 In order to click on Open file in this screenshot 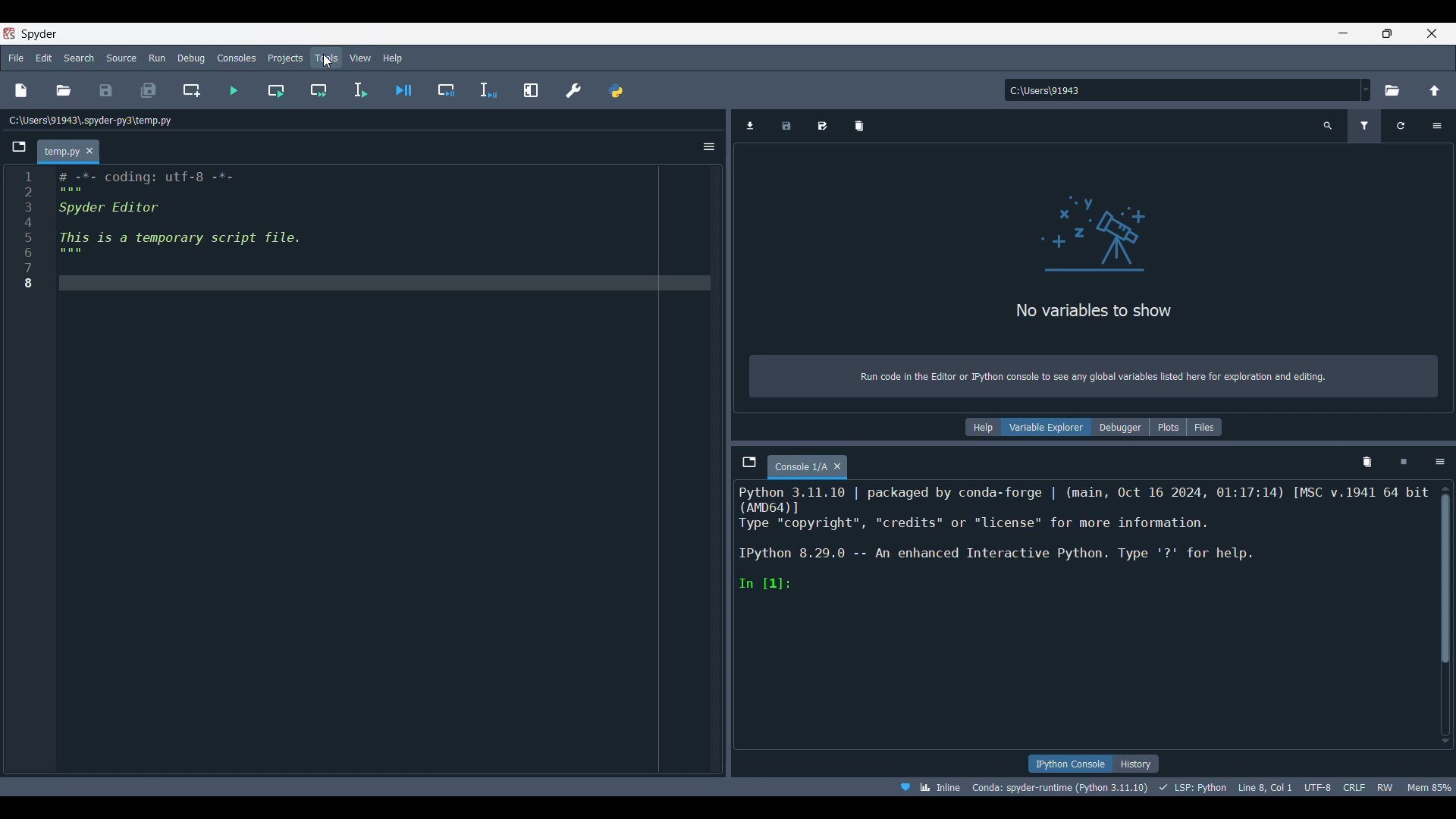, I will do `click(64, 90)`.